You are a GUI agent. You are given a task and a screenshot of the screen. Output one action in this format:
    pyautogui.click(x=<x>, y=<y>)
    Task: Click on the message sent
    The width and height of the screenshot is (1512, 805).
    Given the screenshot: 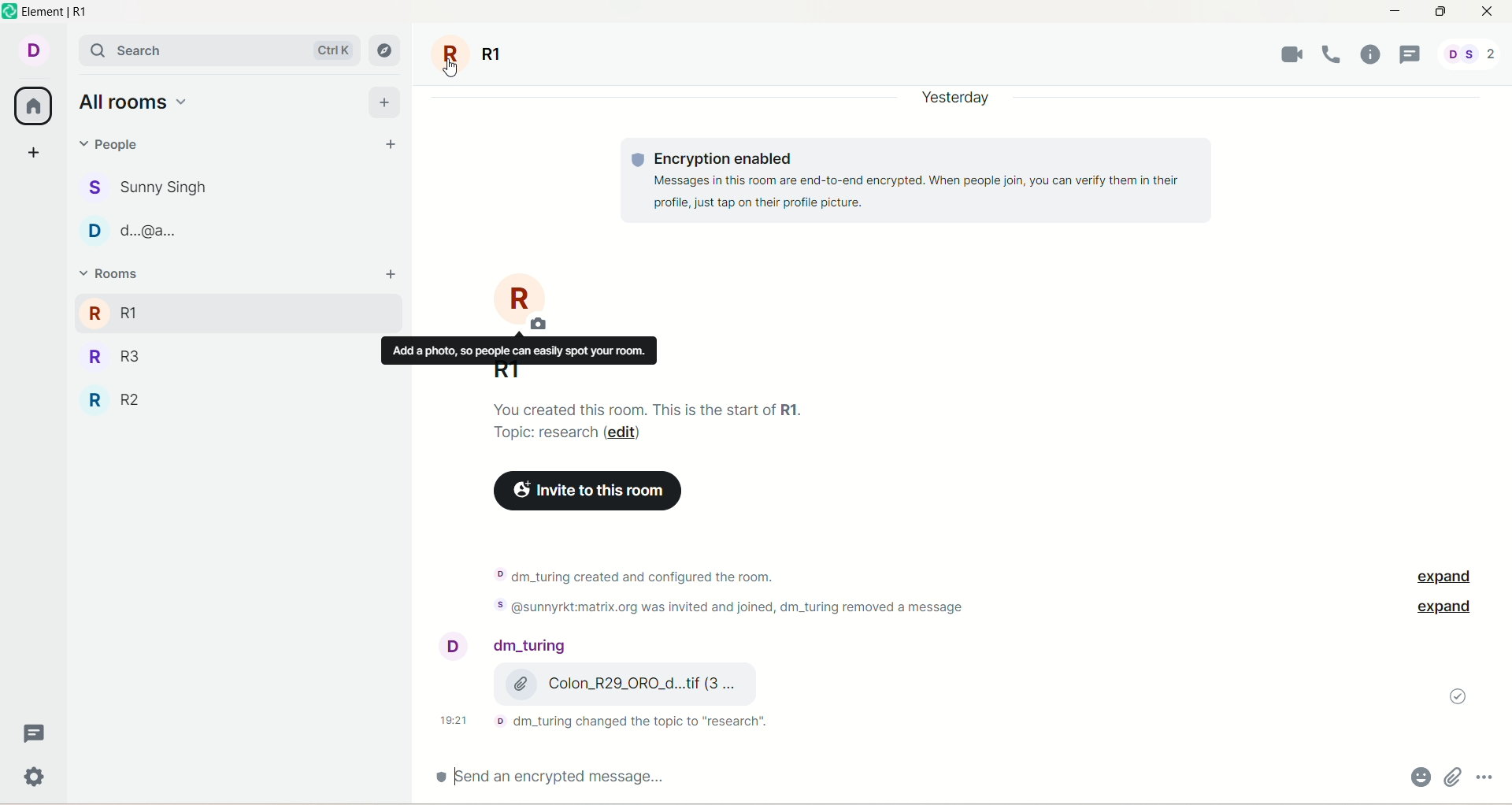 What is the action you would take?
    pyautogui.click(x=1456, y=699)
    